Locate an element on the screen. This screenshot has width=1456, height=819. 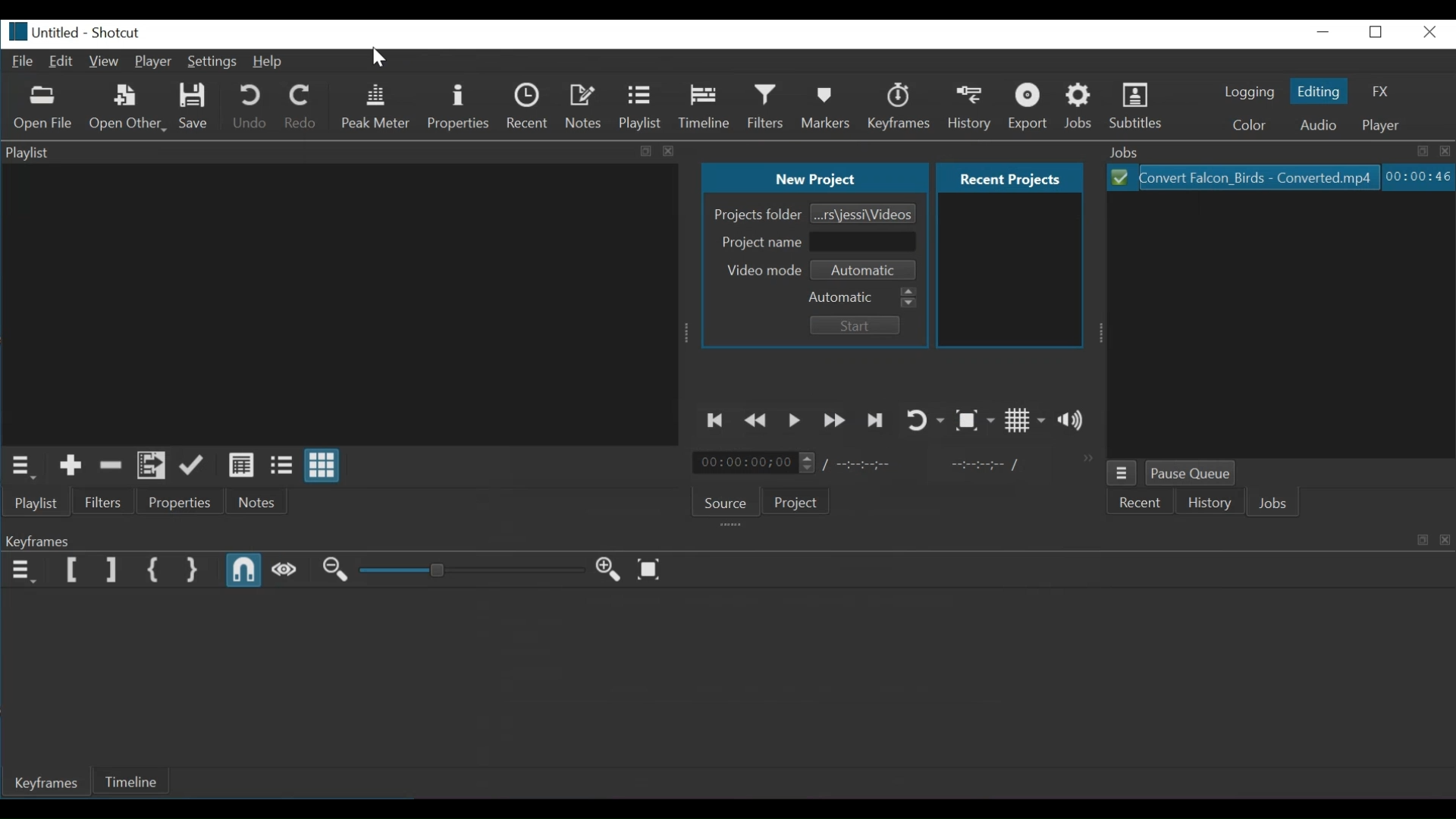
Notes is located at coordinates (256, 501).